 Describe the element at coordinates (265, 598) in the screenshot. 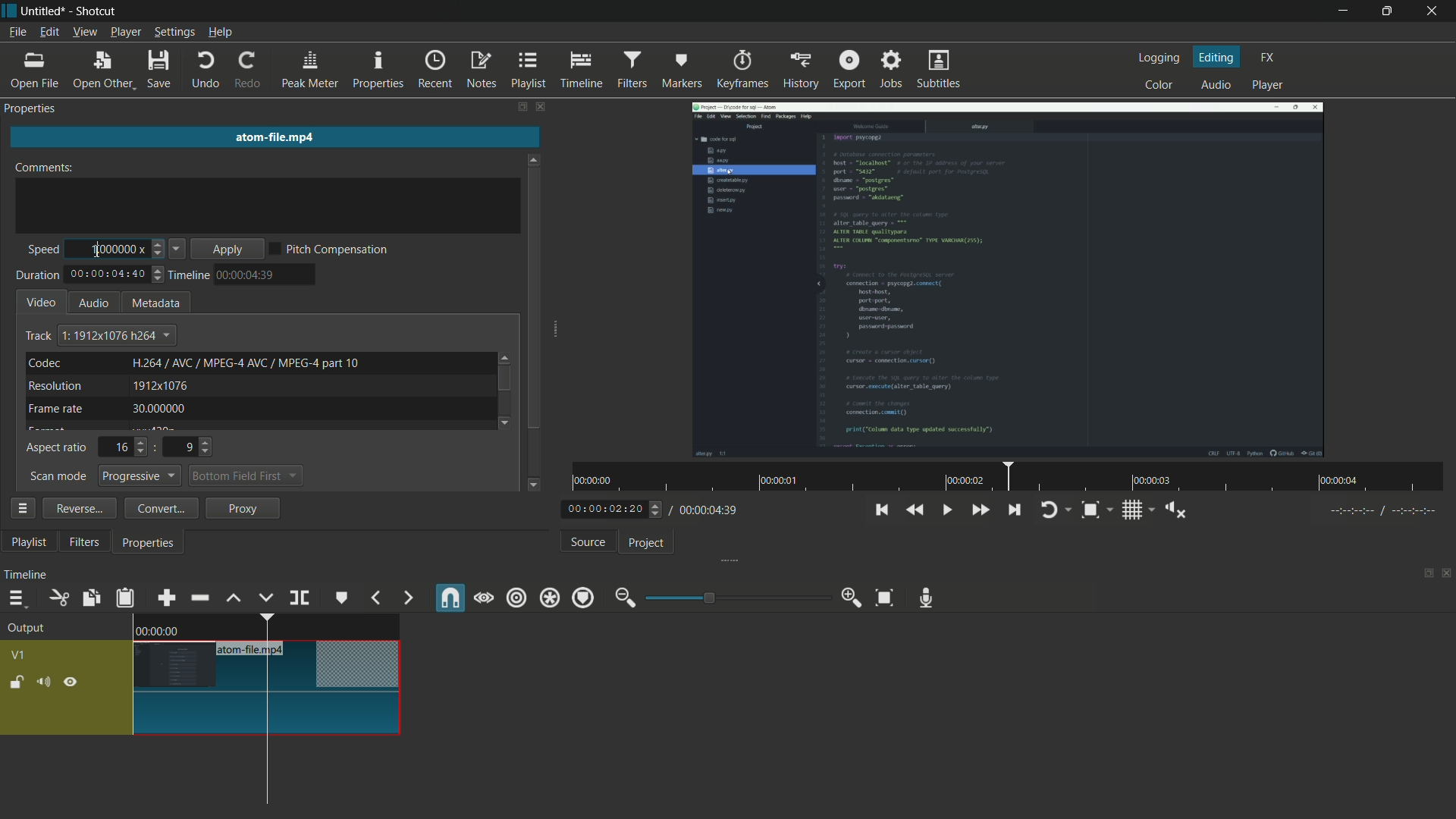

I see `overwrite` at that location.